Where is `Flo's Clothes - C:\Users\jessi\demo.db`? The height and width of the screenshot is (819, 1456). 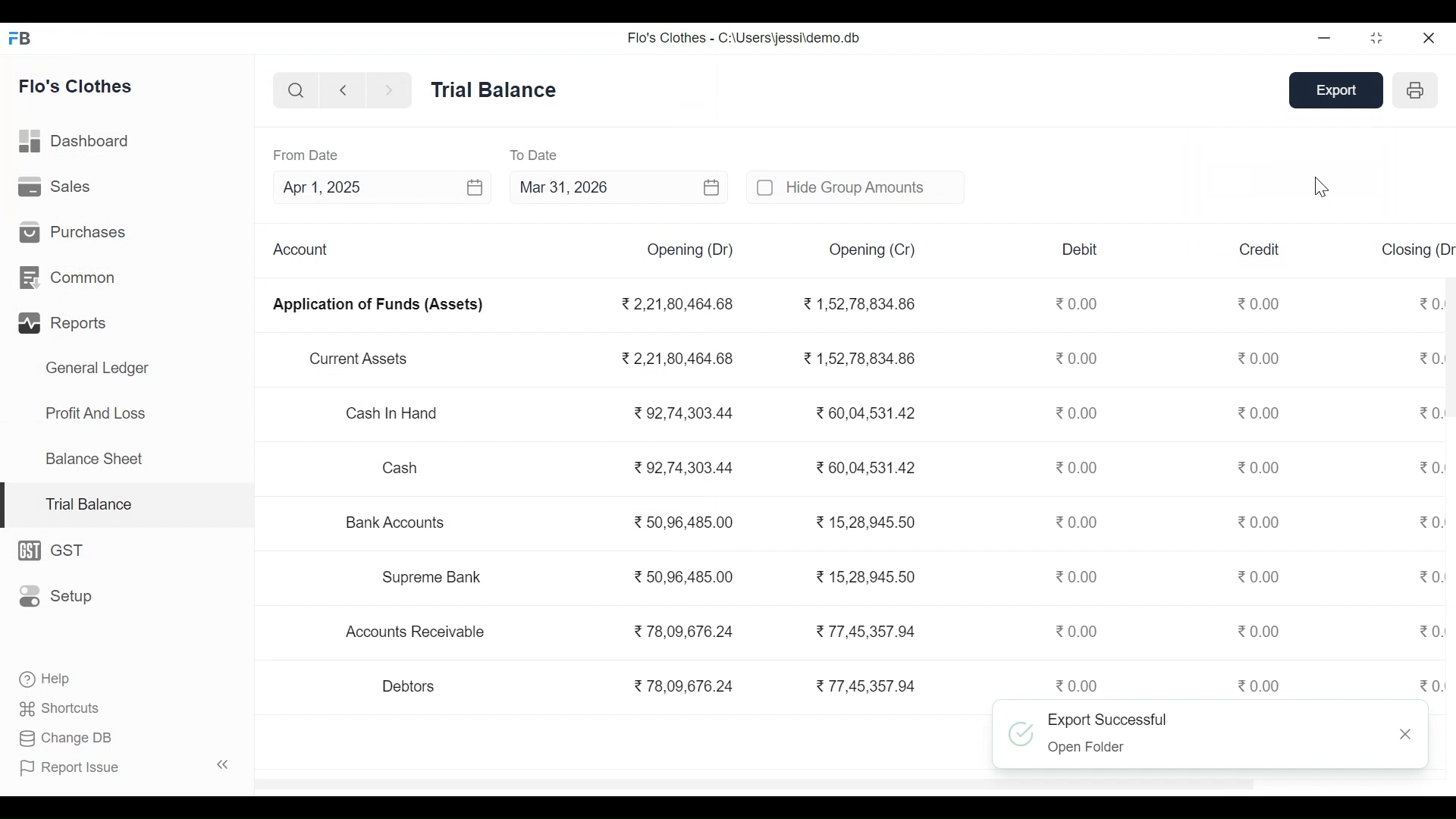 Flo's Clothes - C:\Users\jessi\demo.db is located at coordinates (744, 39).